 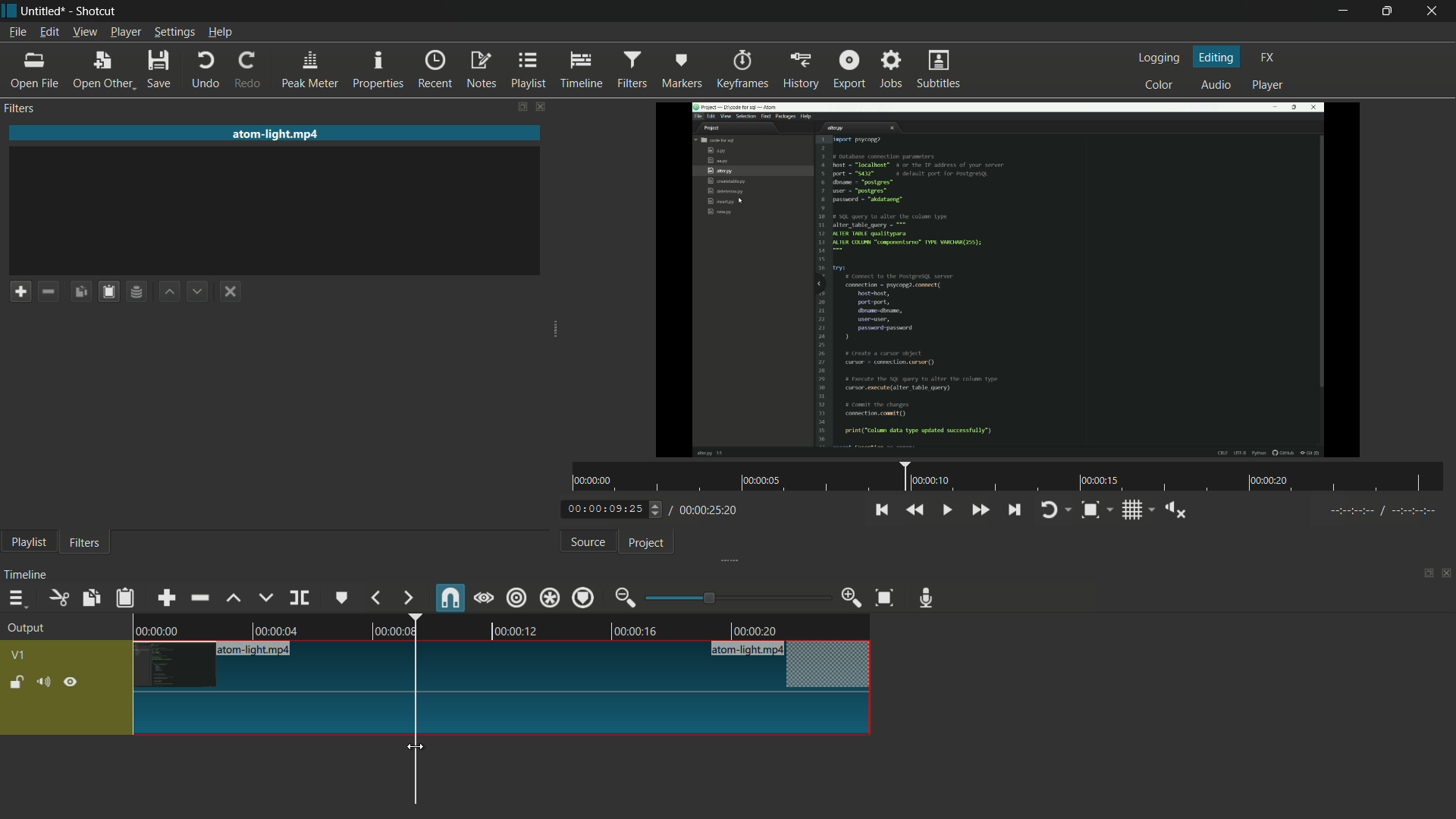 I want to click on zoom in, so click(x=852, y=598).